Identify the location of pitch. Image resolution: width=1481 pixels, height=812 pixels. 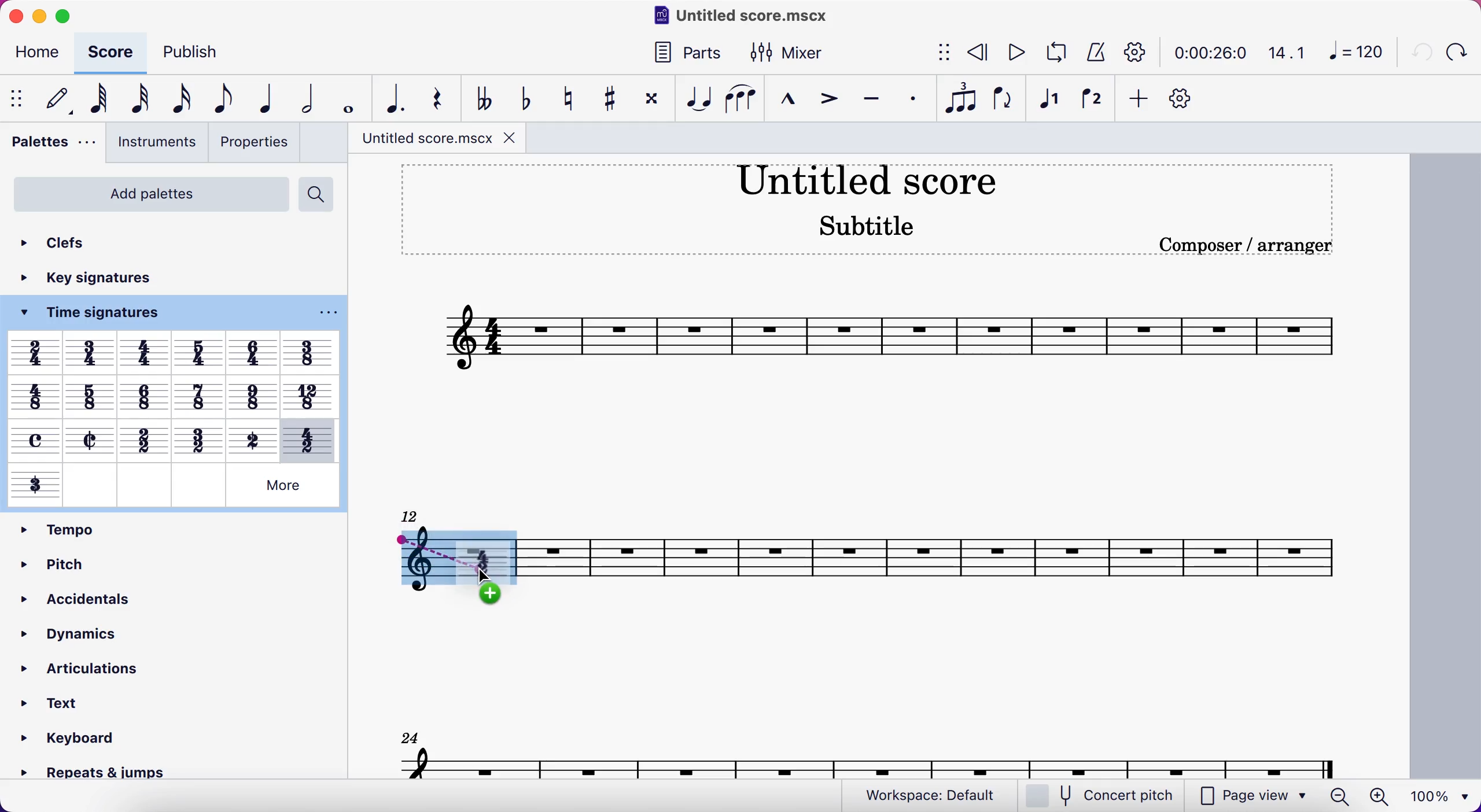
(71, 560).